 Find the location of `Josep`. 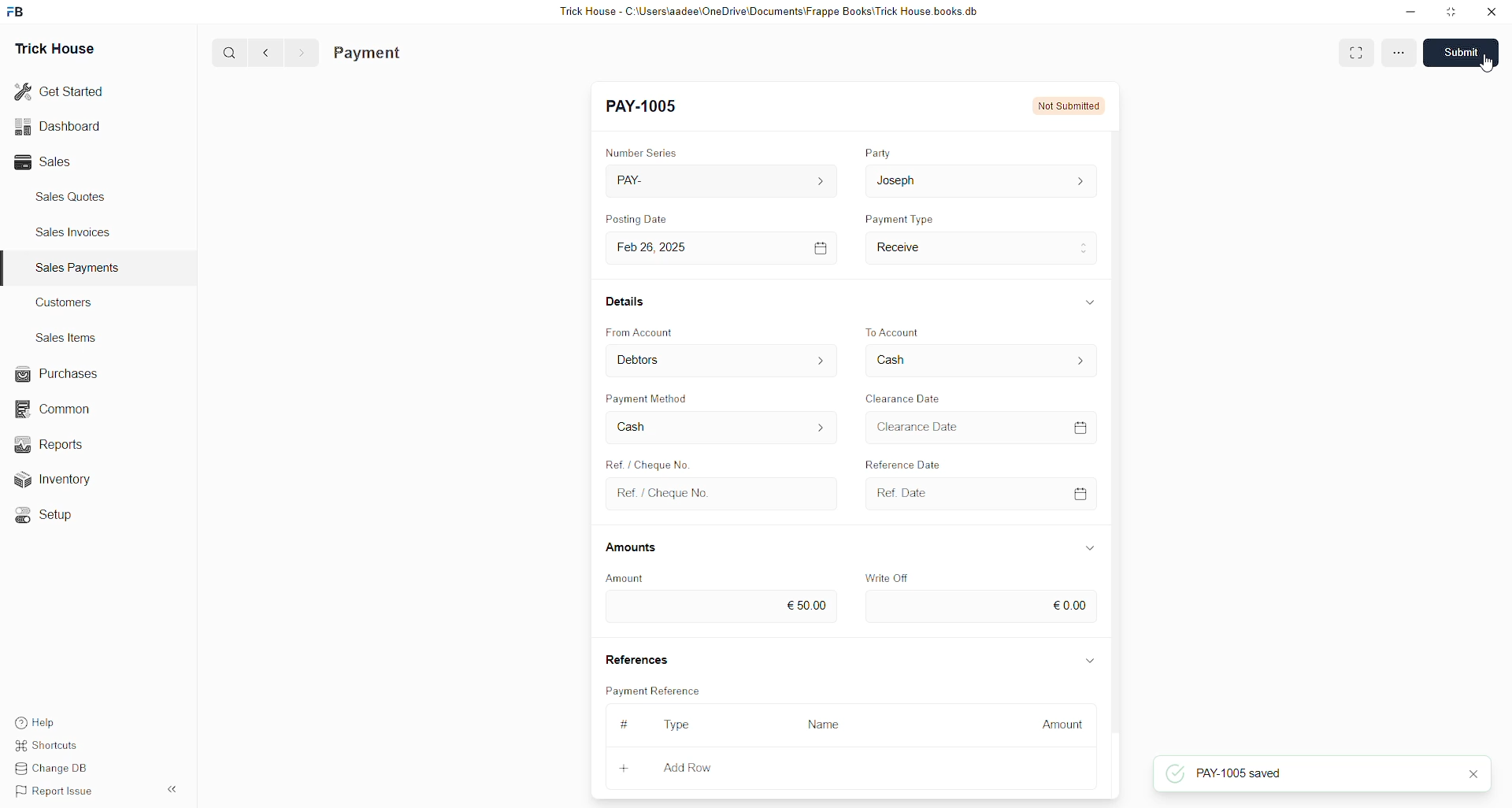

Josep is located at coordinates (980, 180).